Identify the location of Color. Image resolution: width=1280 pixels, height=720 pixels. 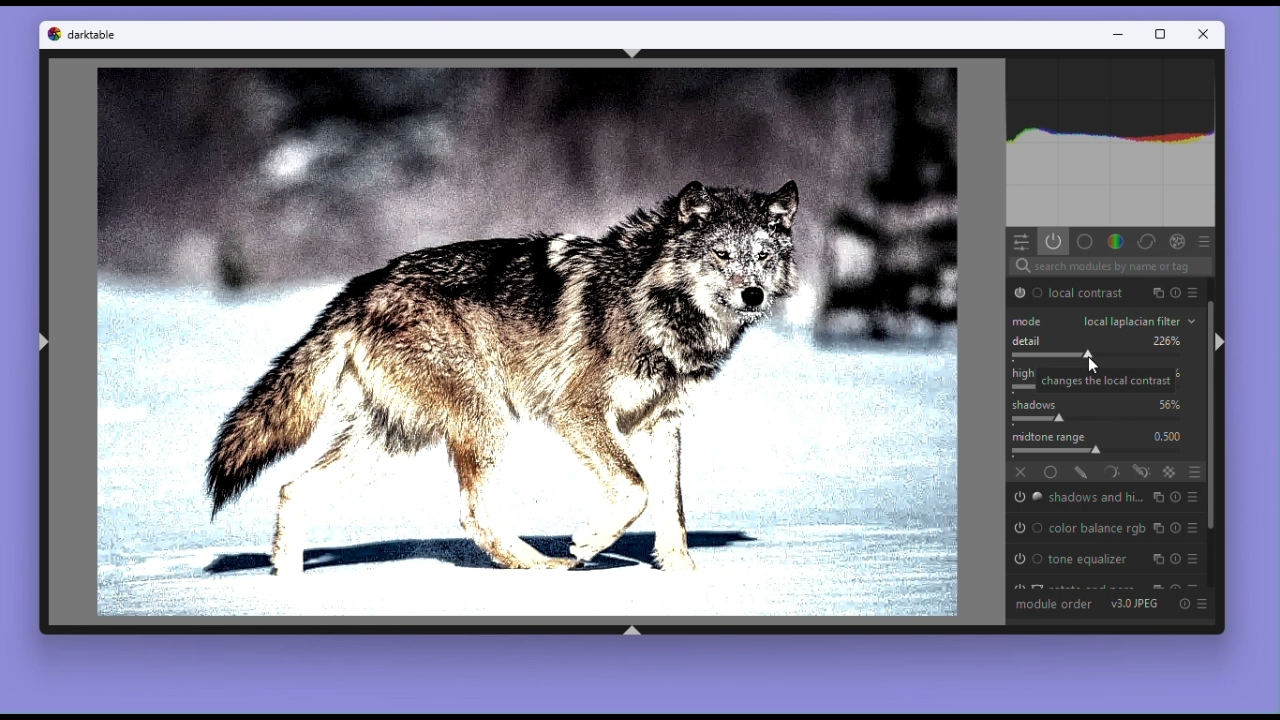
(1115, 241).